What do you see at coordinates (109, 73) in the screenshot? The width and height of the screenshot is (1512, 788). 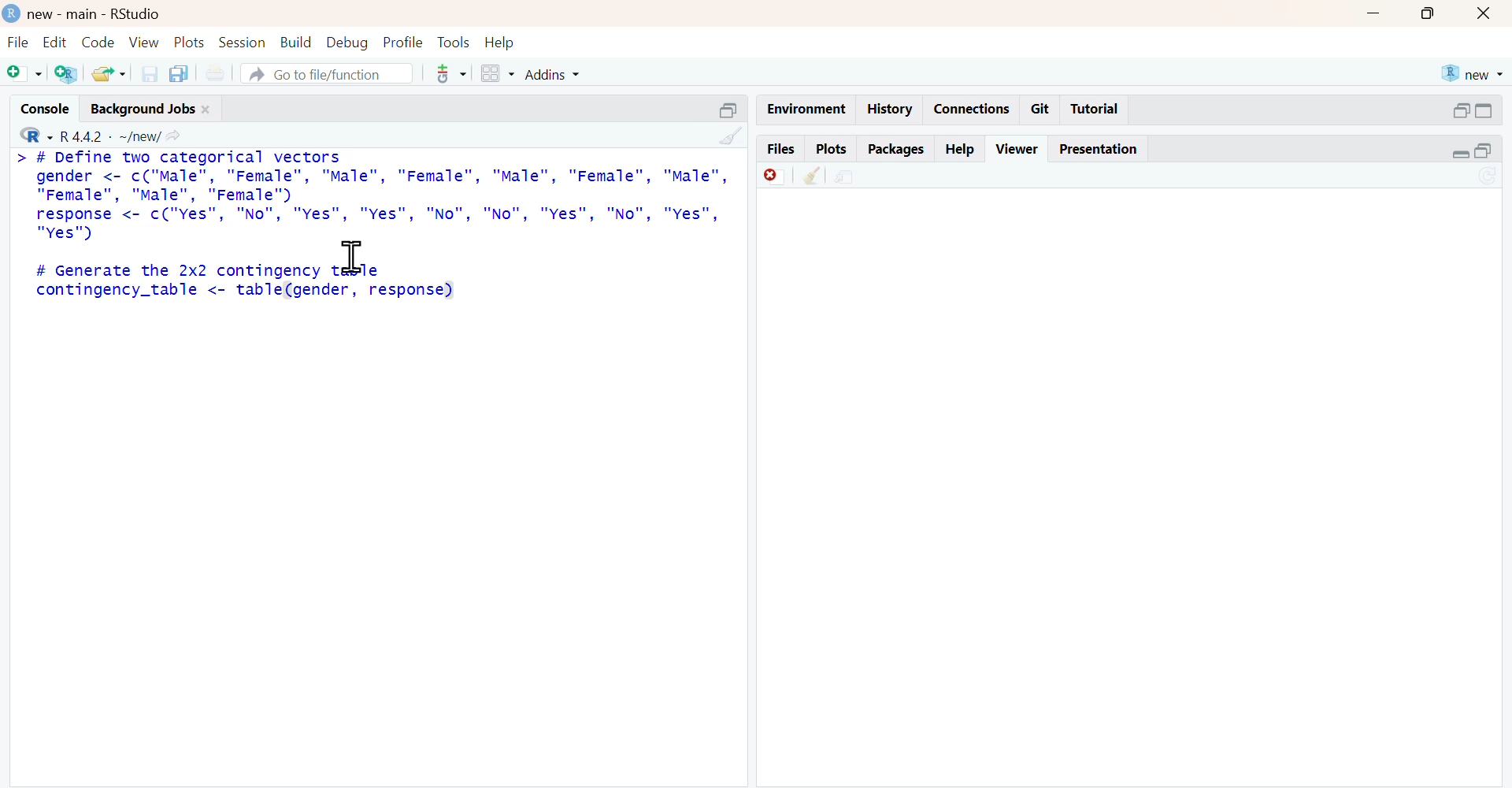 I see `share folder as` at bounding box center [109, 73].